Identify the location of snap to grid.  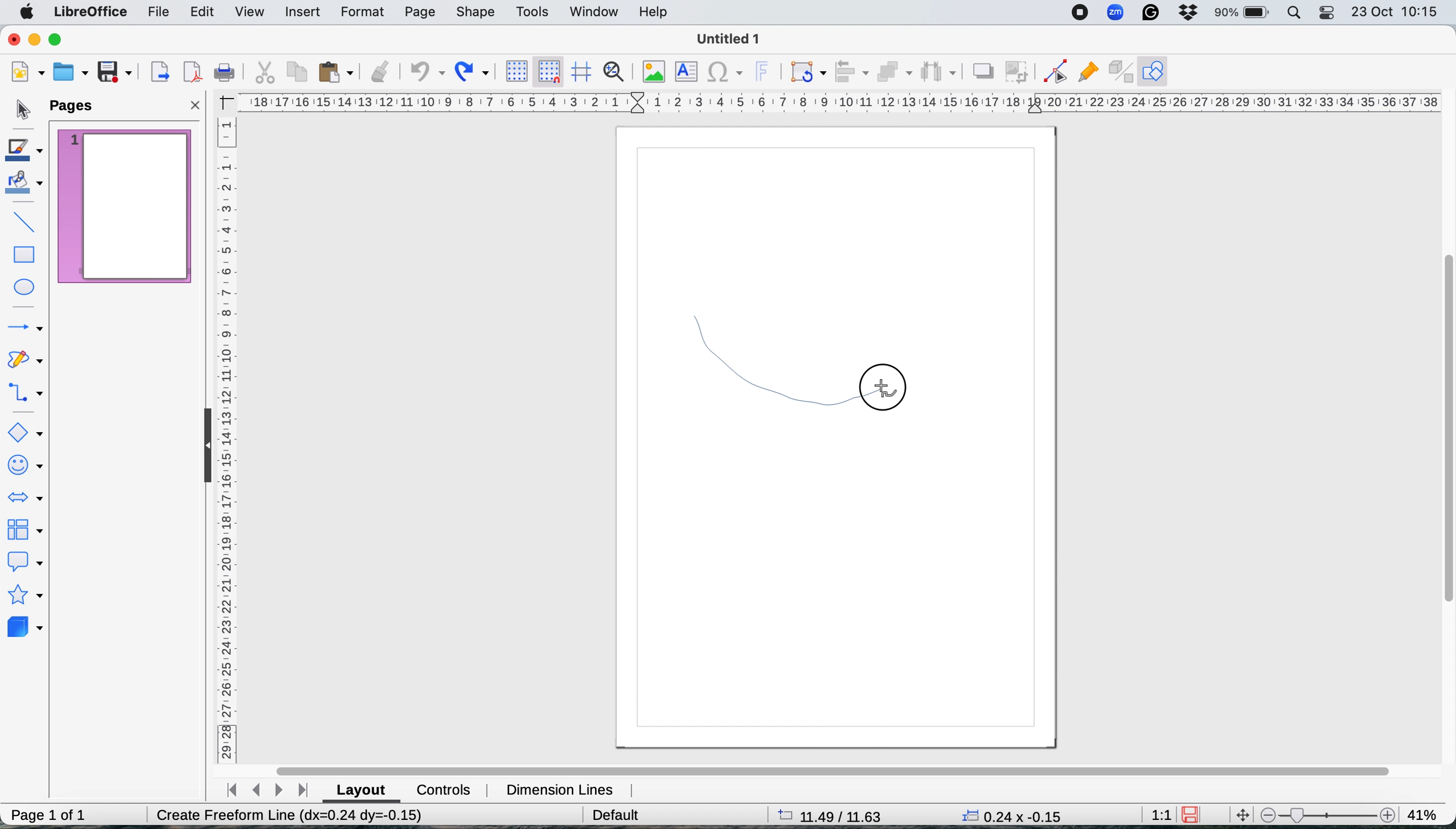
(549, 72).